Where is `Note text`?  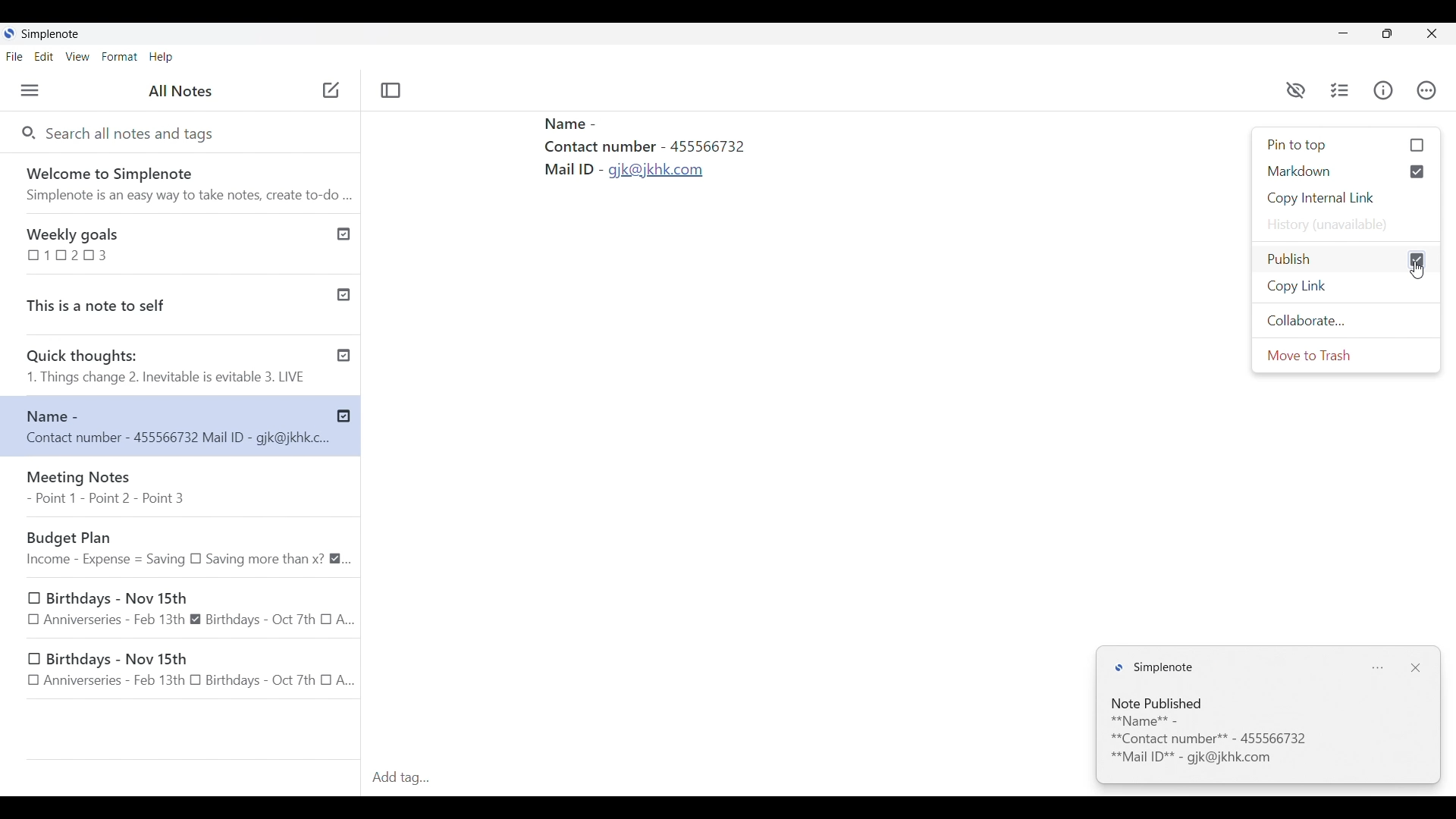 Note text is located at coordinates (1264, 741).